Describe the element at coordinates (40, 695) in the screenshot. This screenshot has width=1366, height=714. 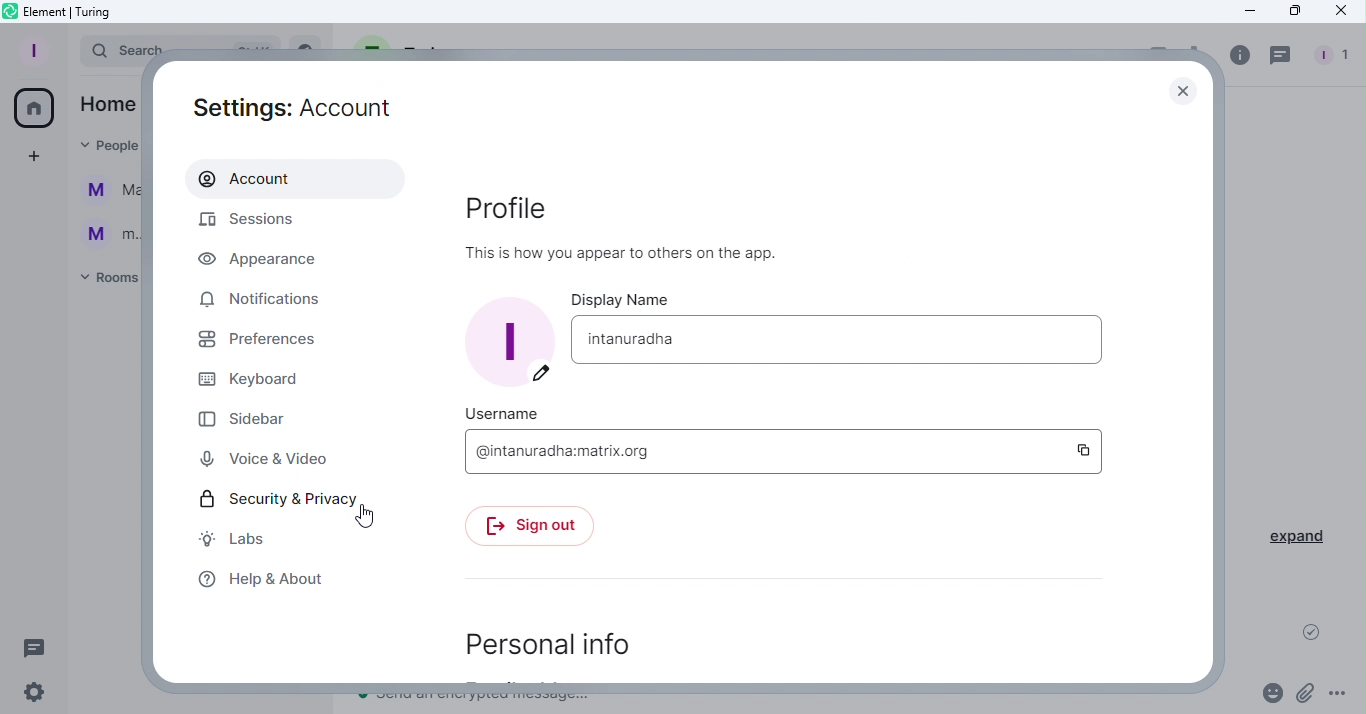
I see `Settings` at that location.